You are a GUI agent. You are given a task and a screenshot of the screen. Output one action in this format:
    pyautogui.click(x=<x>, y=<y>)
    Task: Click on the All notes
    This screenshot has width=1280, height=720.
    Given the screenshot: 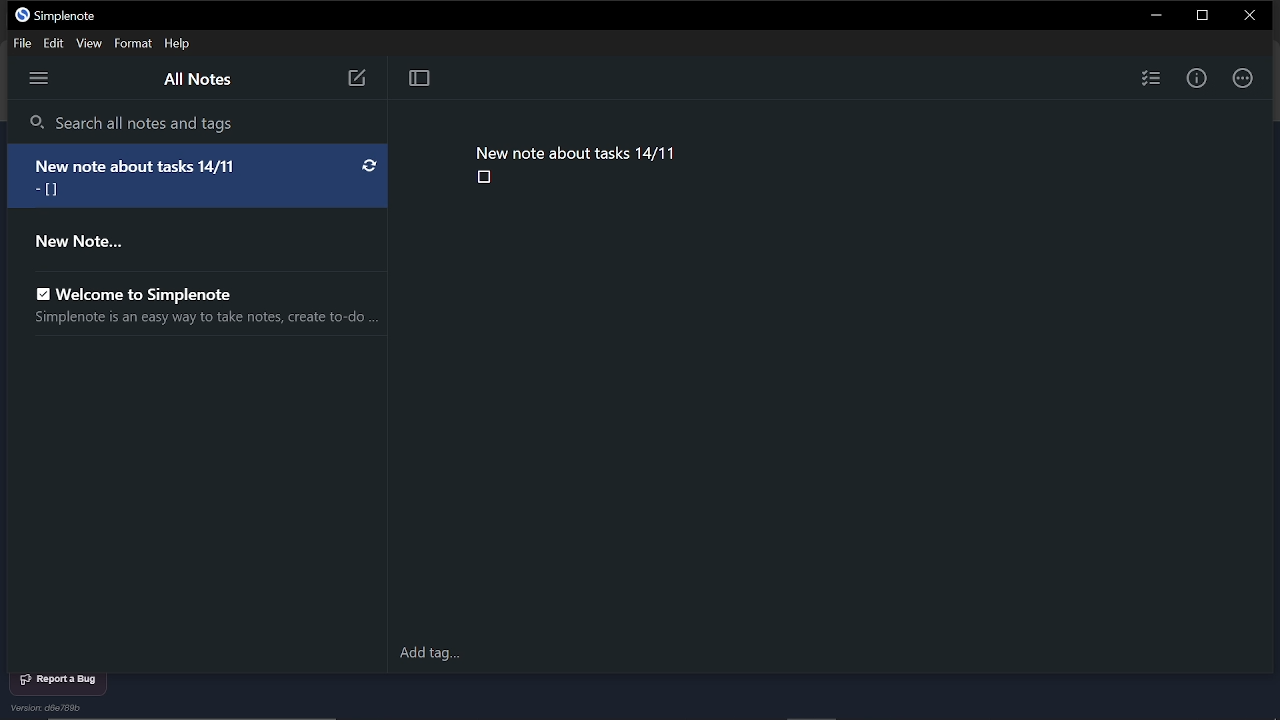 What is the action you would take?
    pyautogui.click(x=197, y=82)
    